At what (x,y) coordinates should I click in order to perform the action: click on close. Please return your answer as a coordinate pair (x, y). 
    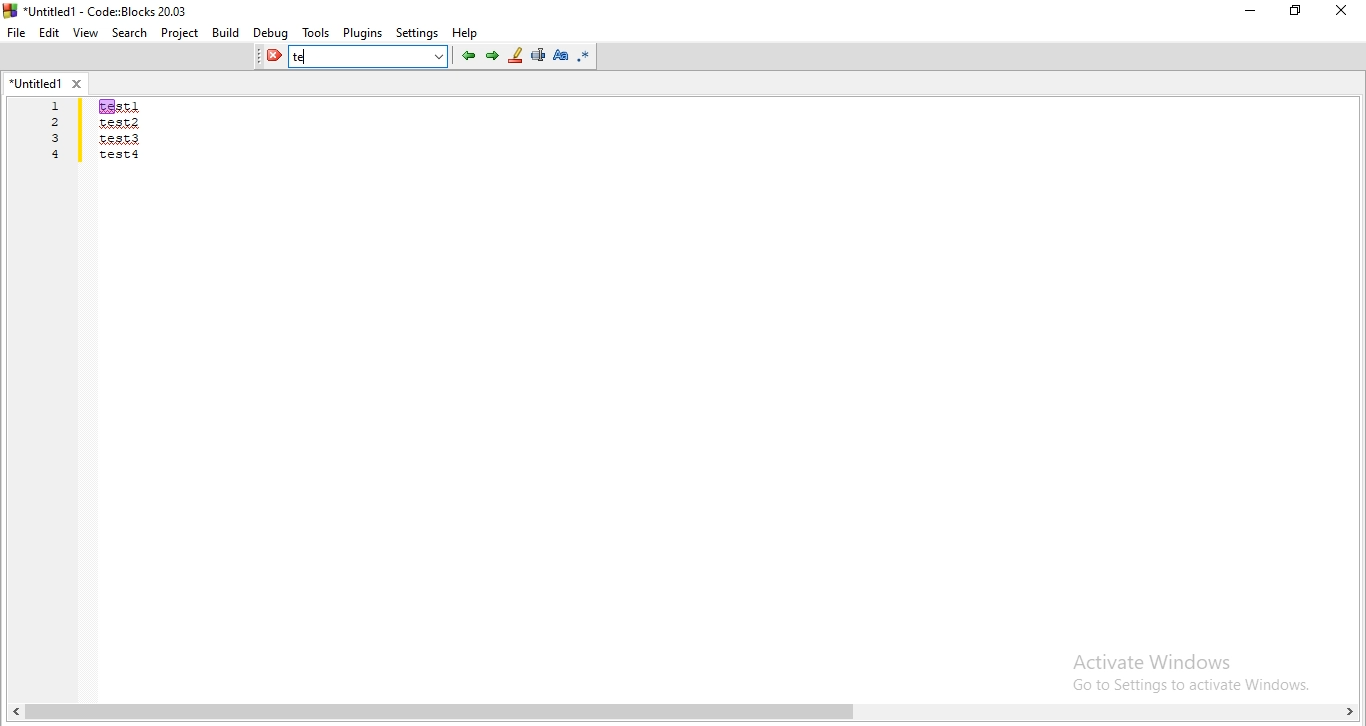
    Looking at the image, I should click on (77, 83).